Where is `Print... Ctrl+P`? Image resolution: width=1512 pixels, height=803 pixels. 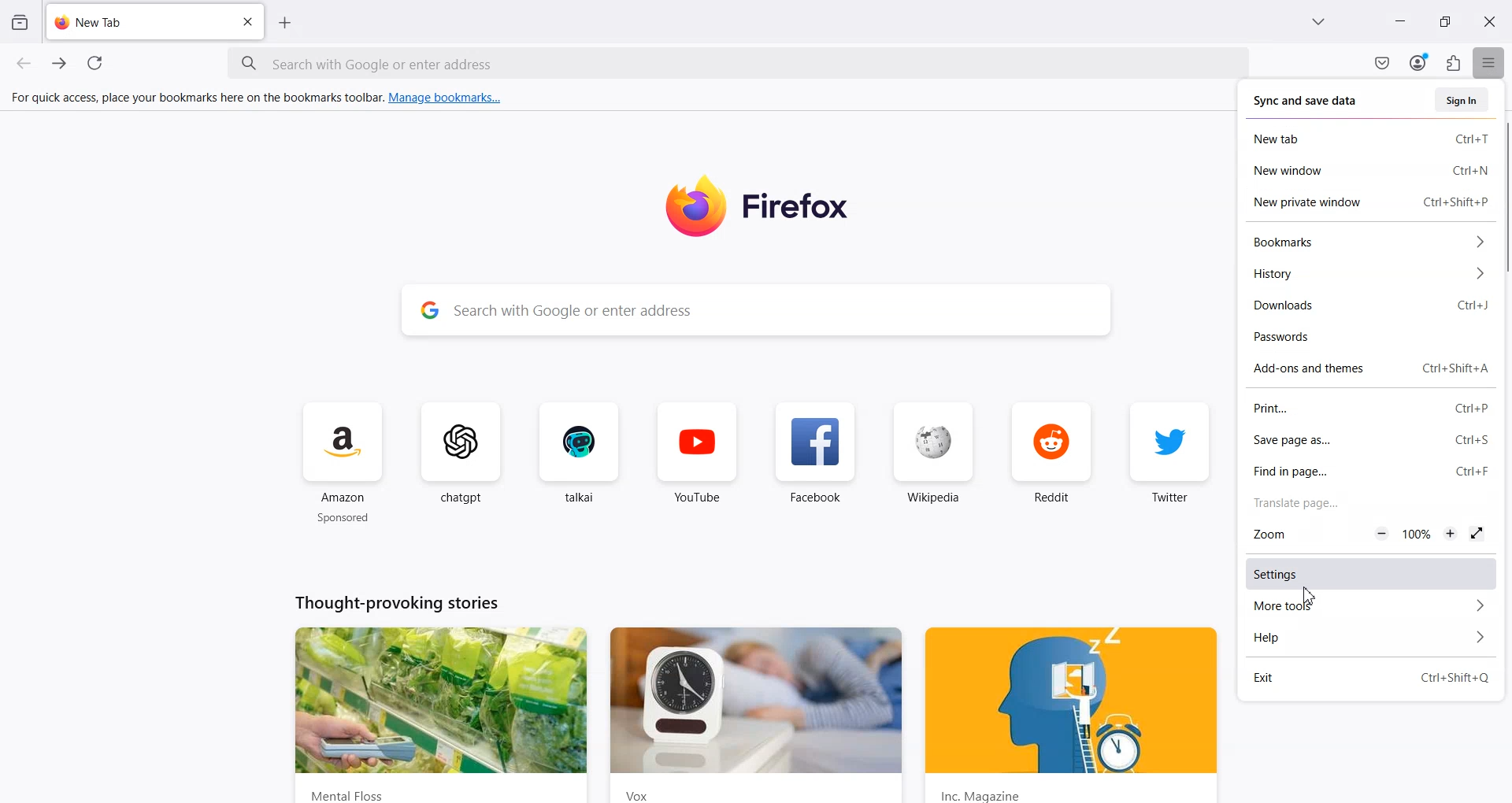
Print... Ctrl+P is located at coordinates (1373, 408).